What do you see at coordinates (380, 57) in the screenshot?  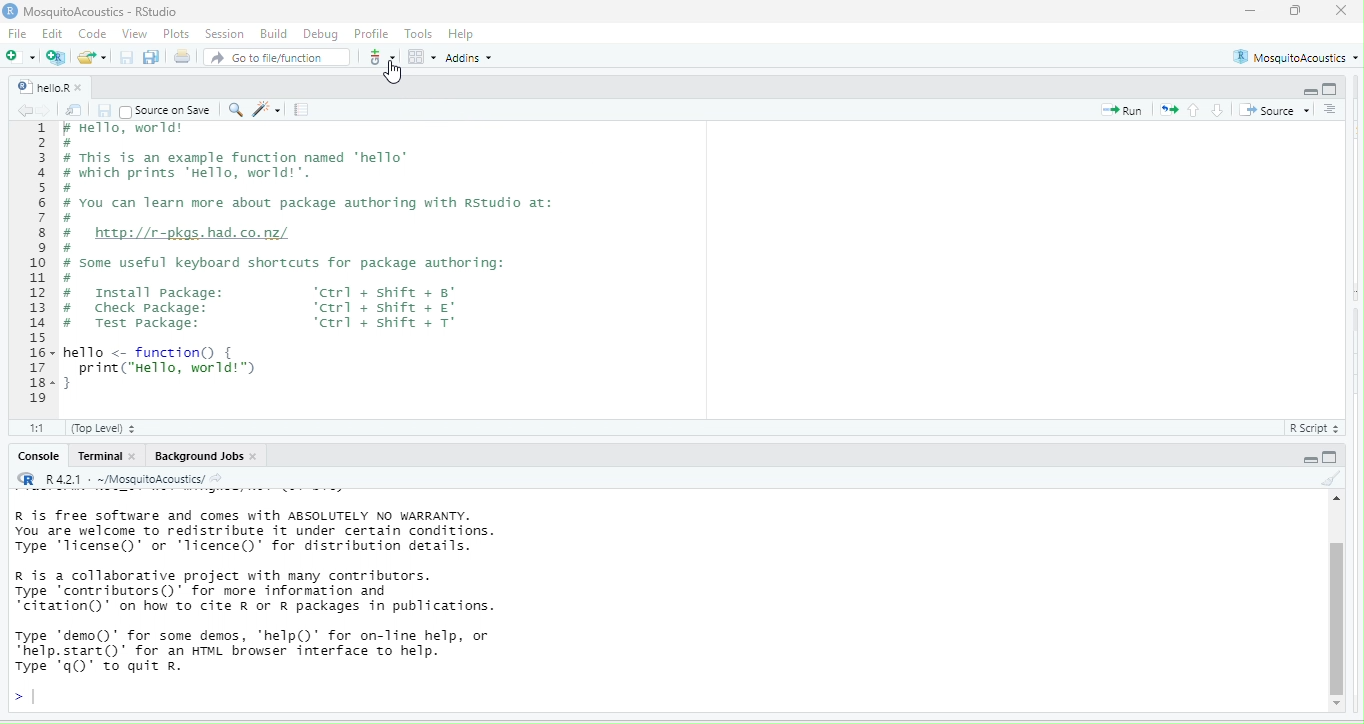 I see `git` at bounding box center [380, 57].